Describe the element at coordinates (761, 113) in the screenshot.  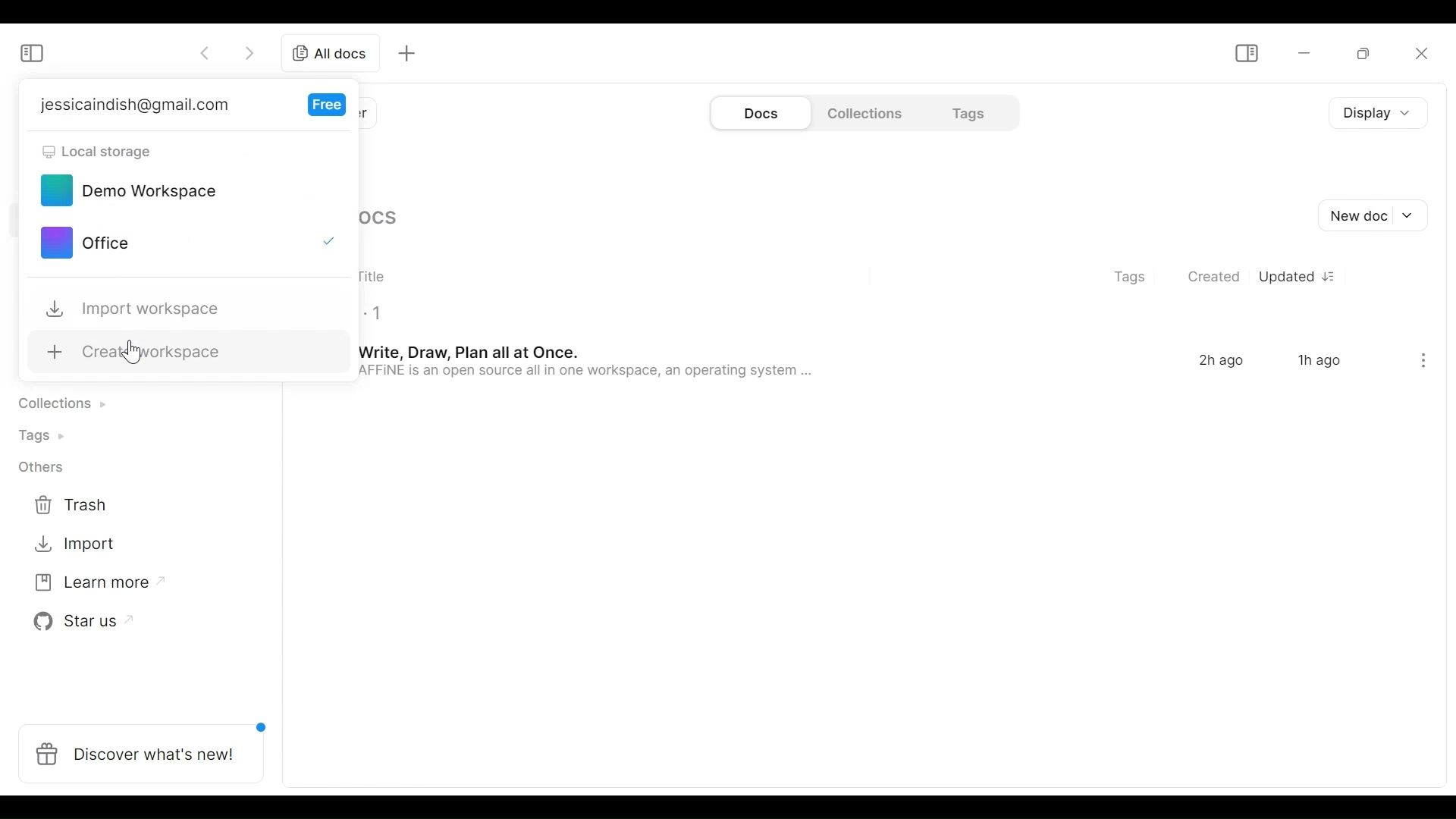
I see `Documents` at that location.